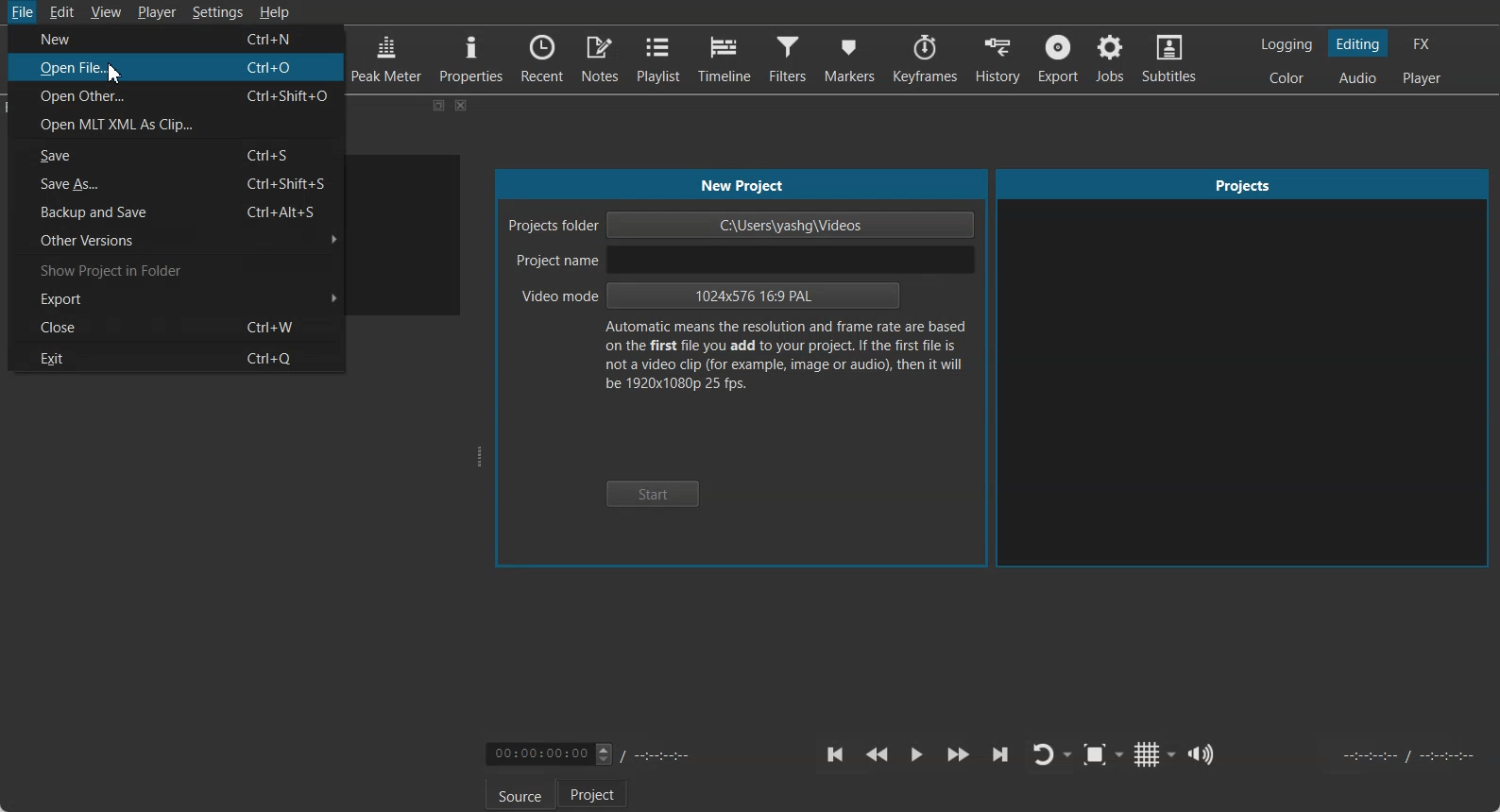 This screenshot has width=1500, height=812. Describe the element at coordinates (848, 59) in the screenshot. I see `Markers` at that location.